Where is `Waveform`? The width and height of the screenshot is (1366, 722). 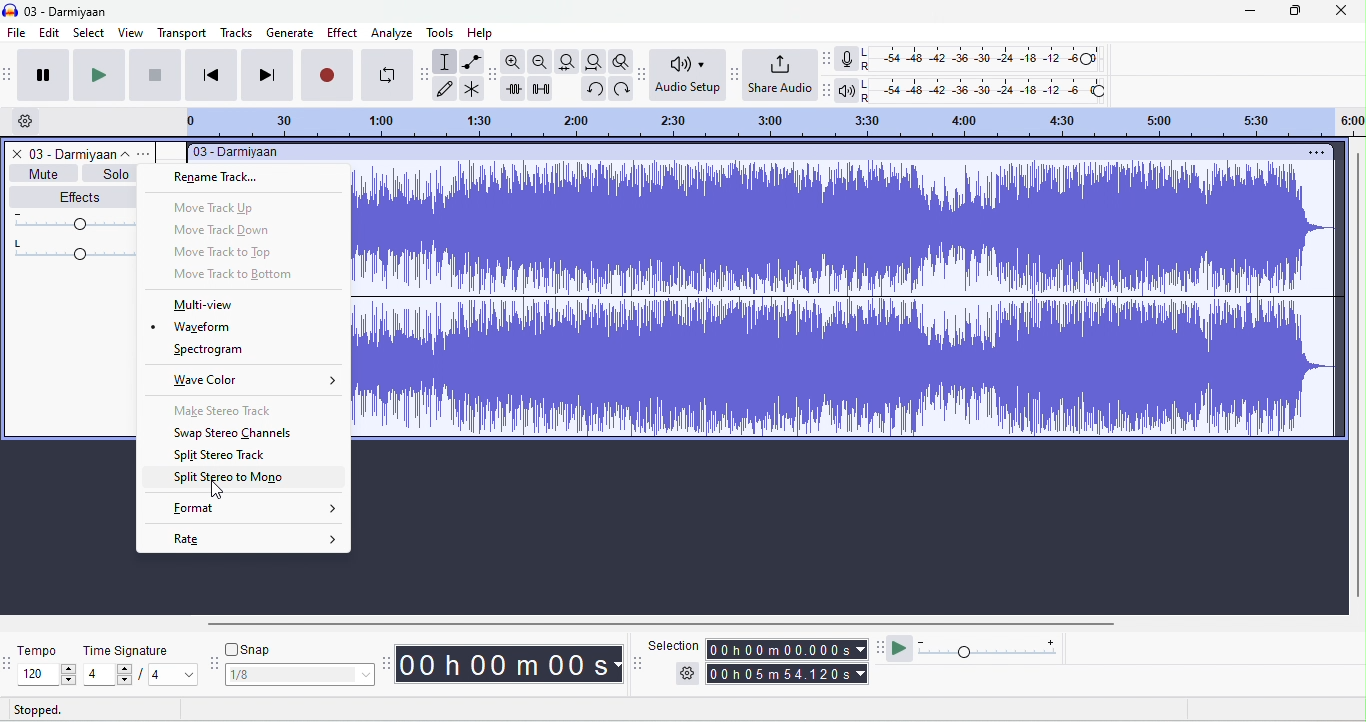 Waveform is located at coordinates (845, 299).